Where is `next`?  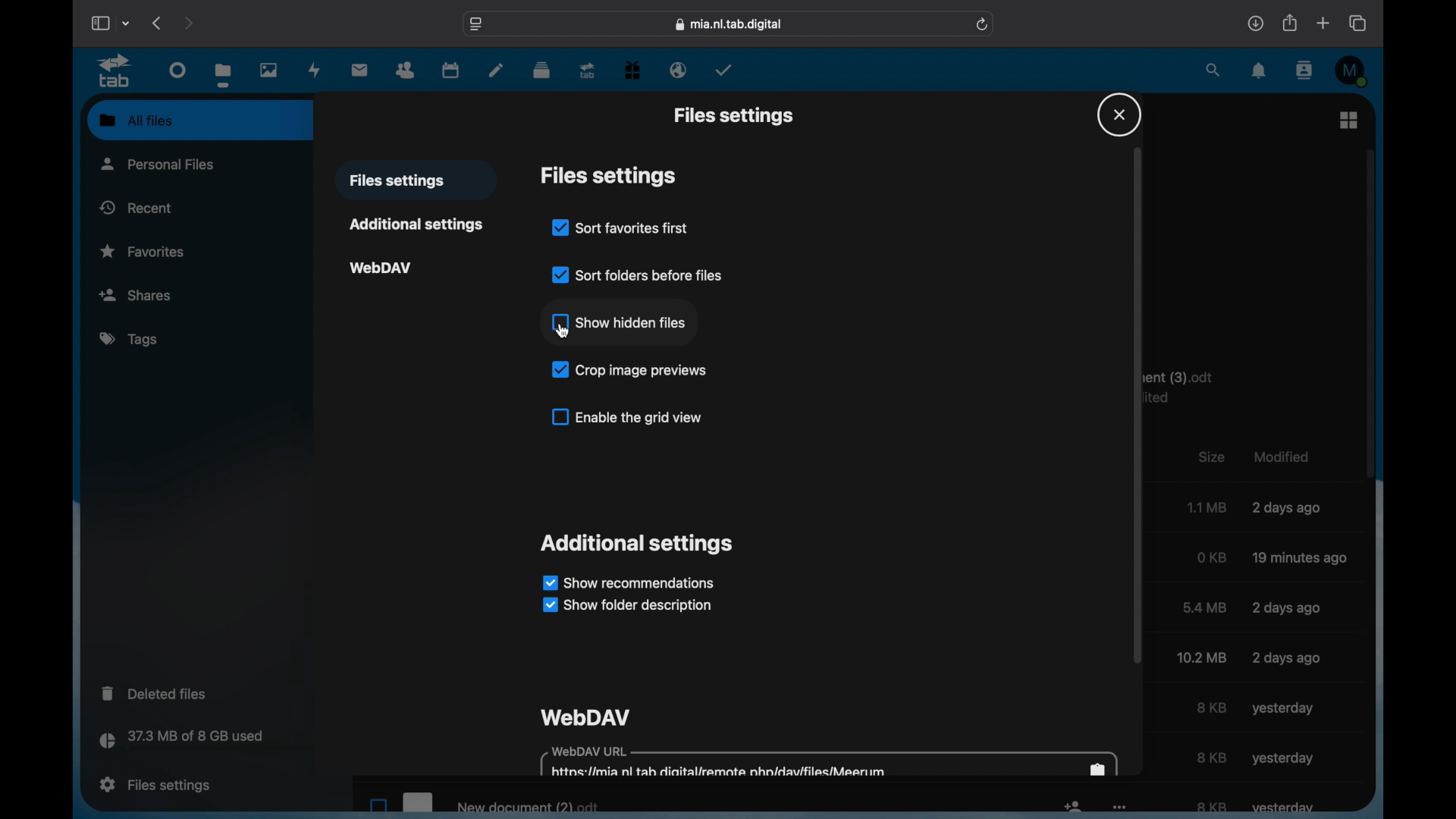 next is located at coordinates (188, 24).